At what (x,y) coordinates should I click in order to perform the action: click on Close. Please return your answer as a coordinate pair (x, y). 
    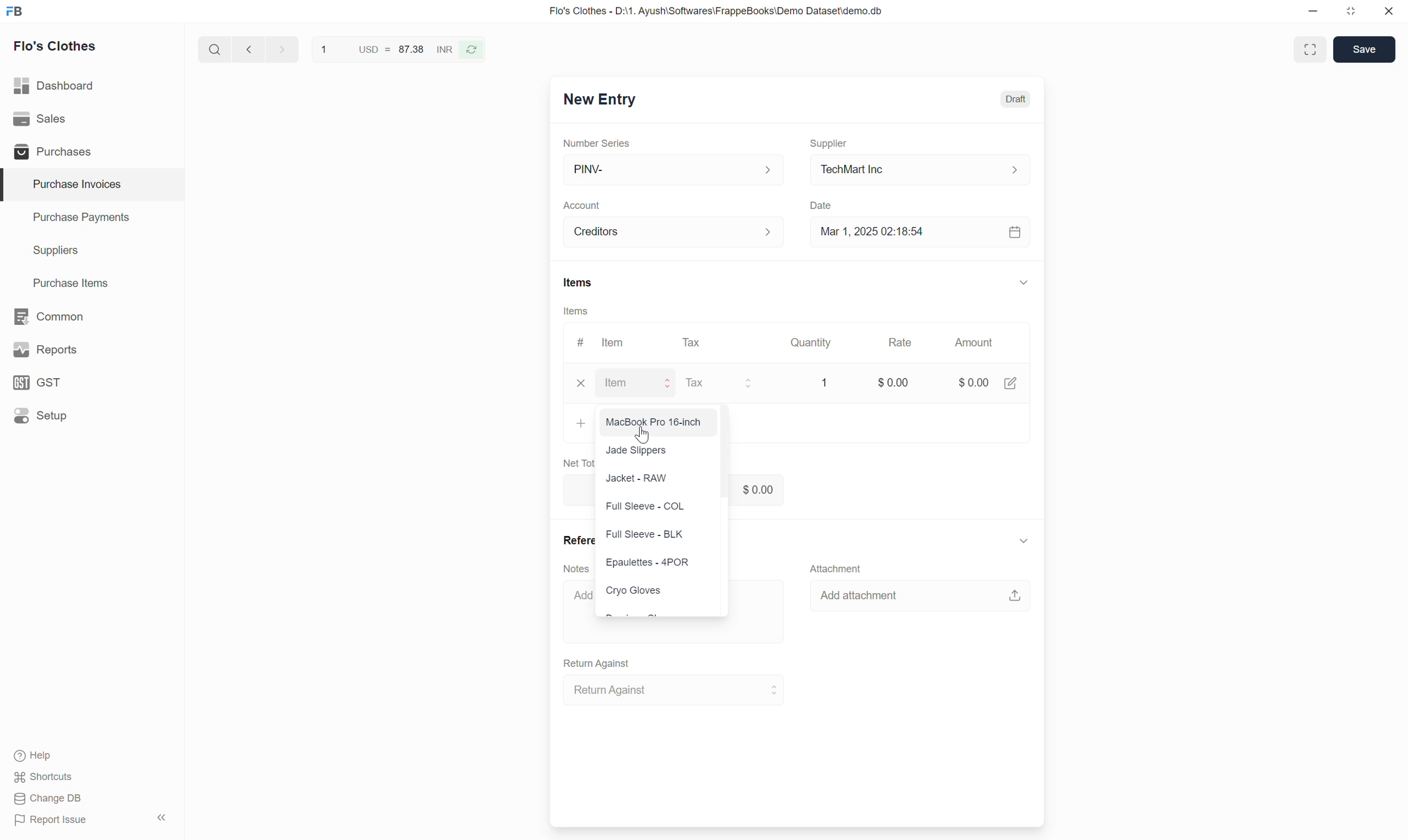
    Looking at the image, I should click on (1389, 11).